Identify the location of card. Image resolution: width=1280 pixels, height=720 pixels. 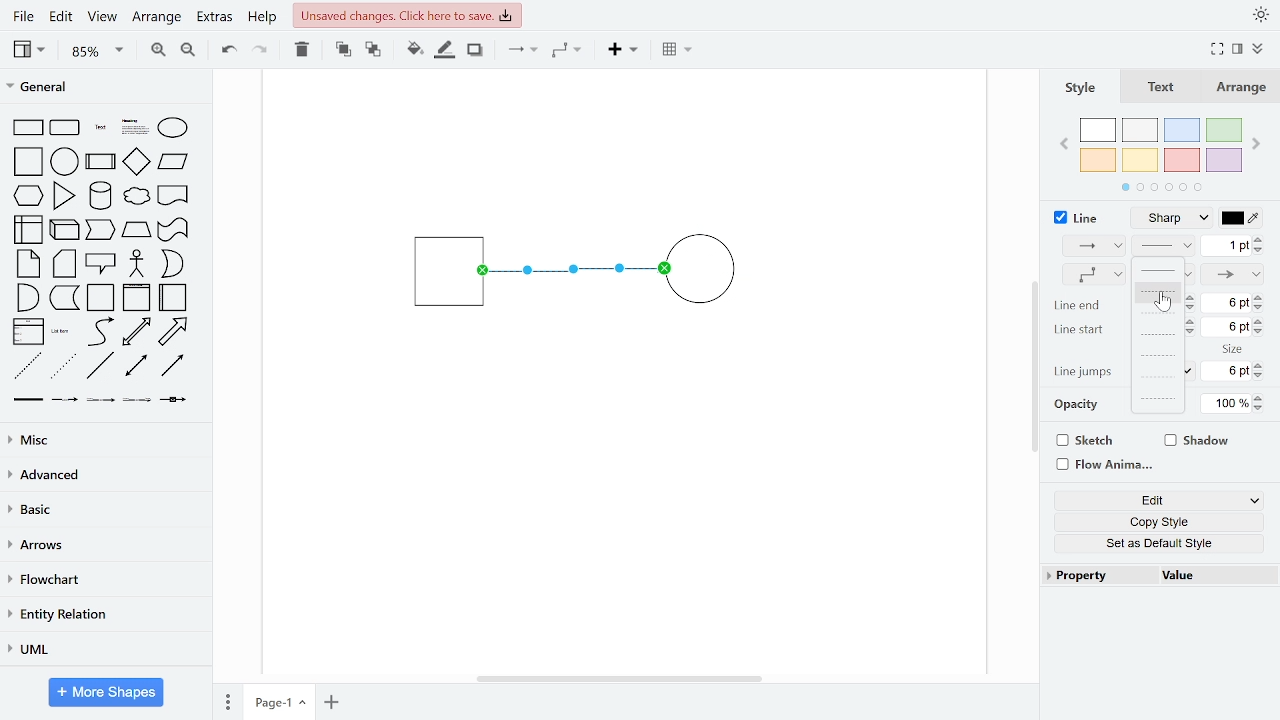
(66, 264).